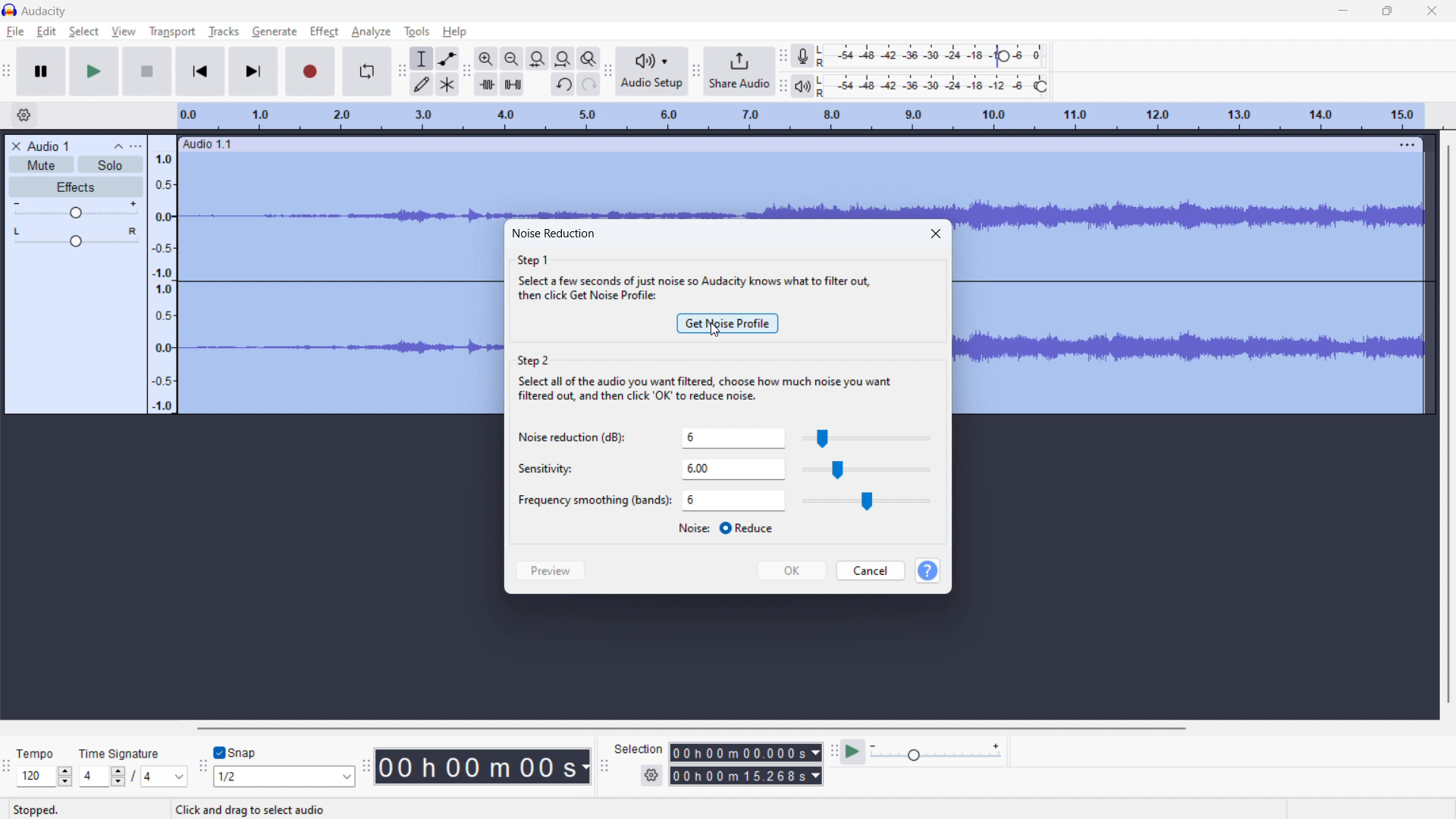 The image size is (1456, 819). Describe the element at coordinates (604, 763) in the screenshot. I see `selection toolbar` at that location.